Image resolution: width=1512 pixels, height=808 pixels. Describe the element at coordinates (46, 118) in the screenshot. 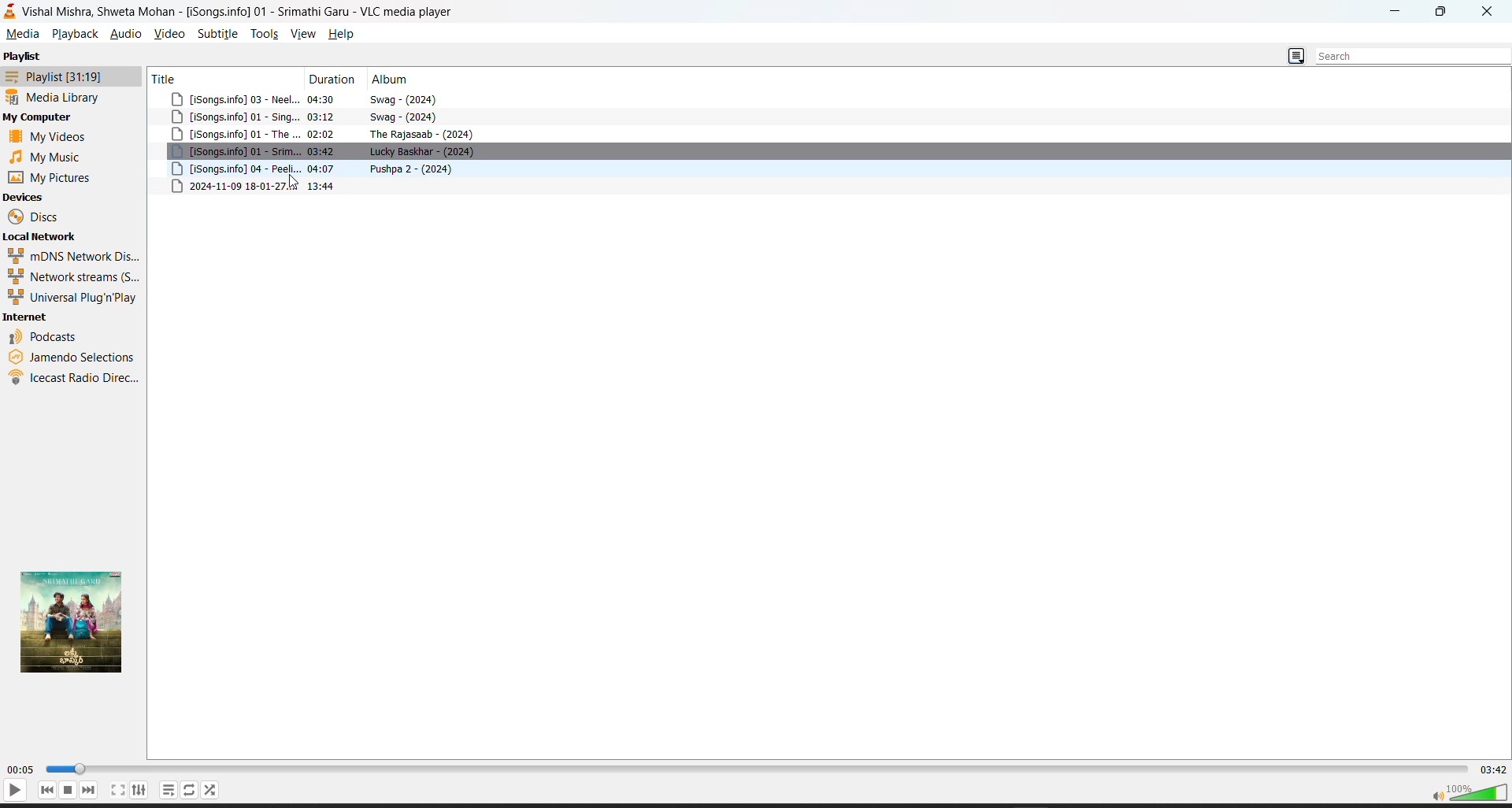

I see `my computer` at that location.